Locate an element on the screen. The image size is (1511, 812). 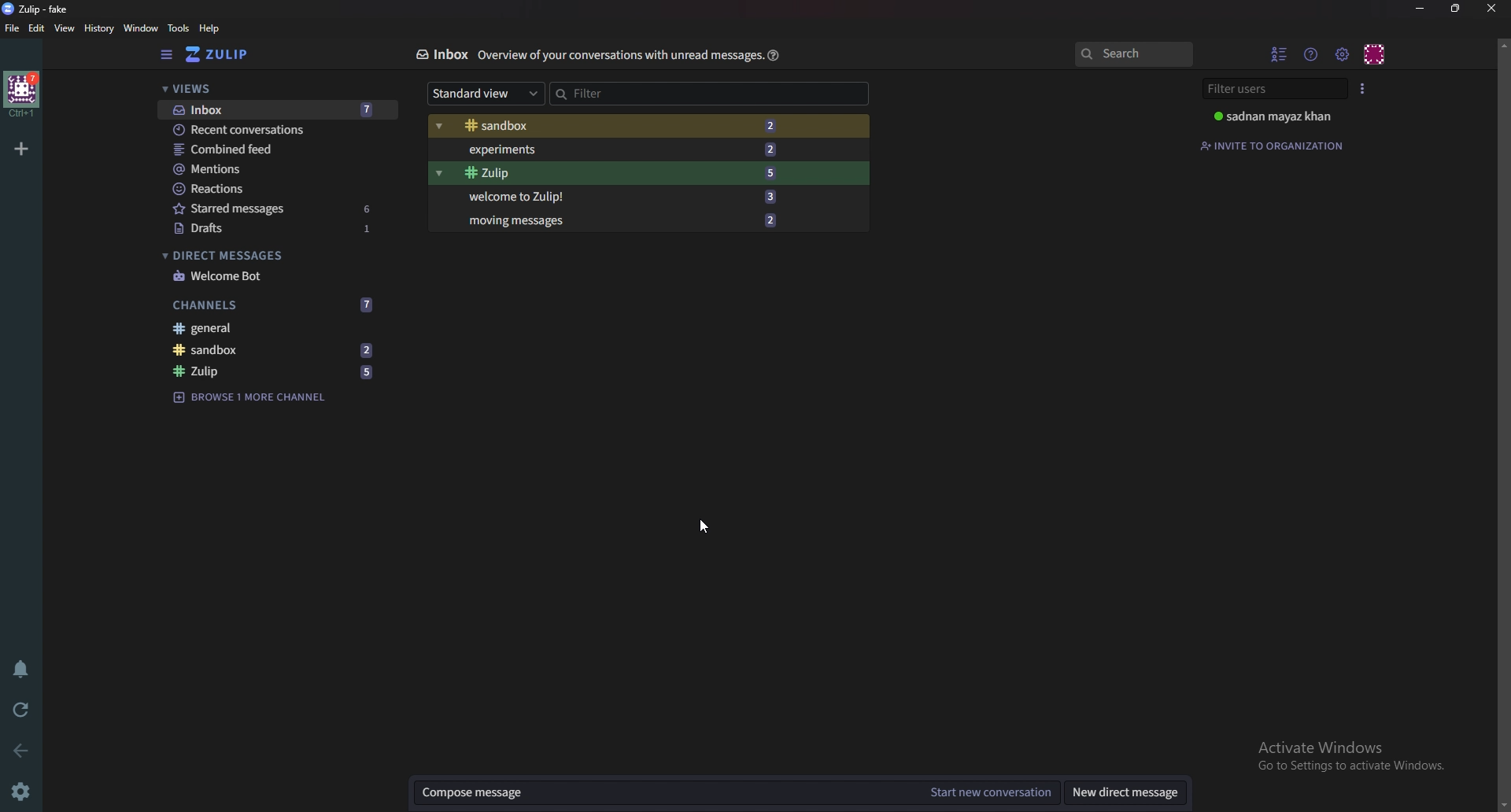
Inbox is located at coordinates (442, 54).